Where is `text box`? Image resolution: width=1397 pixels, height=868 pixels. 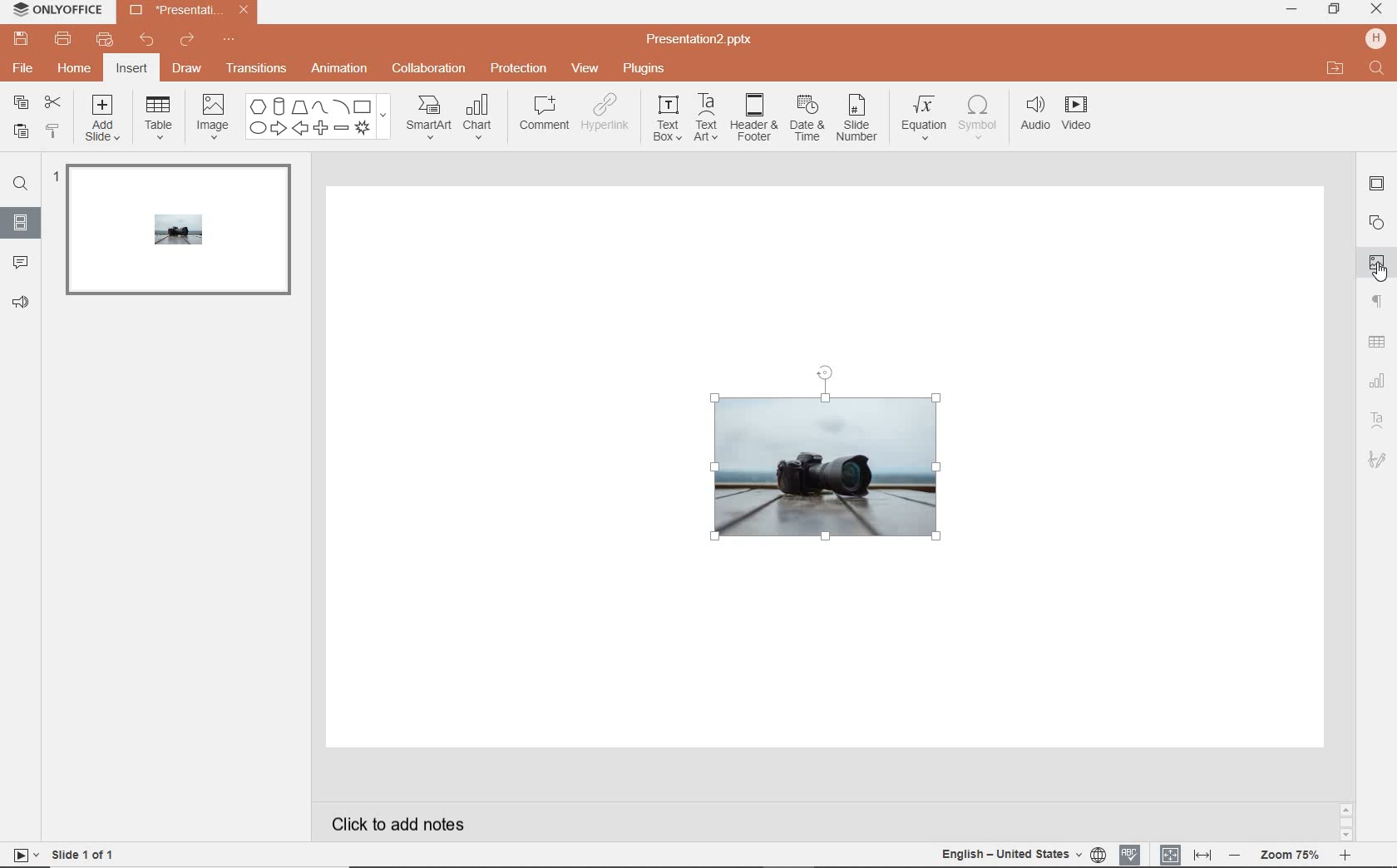
text box is located at coordinates (667, 121).